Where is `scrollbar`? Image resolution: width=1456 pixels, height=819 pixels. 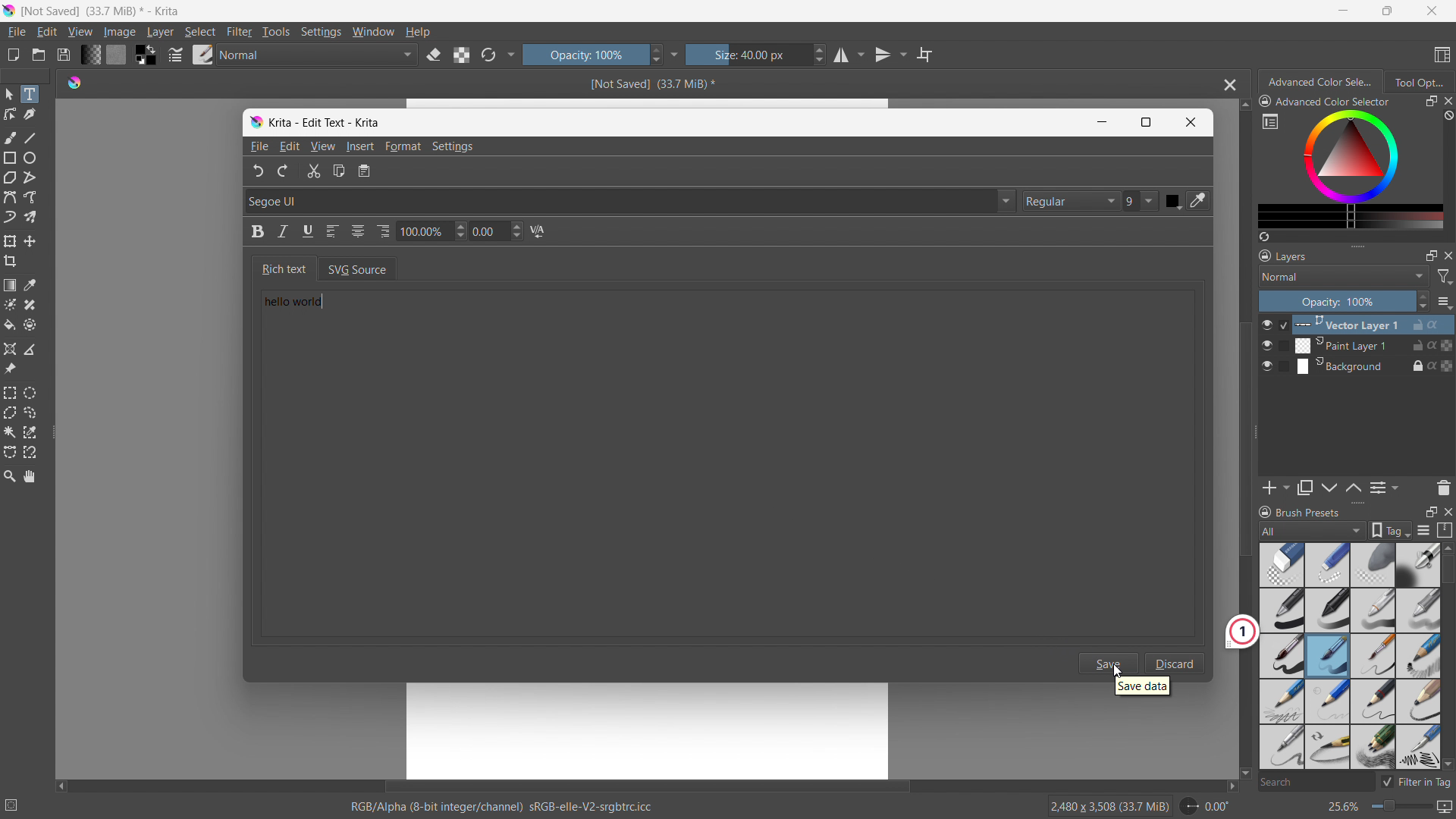 scrollbar is located at coordinates (1447, 635).